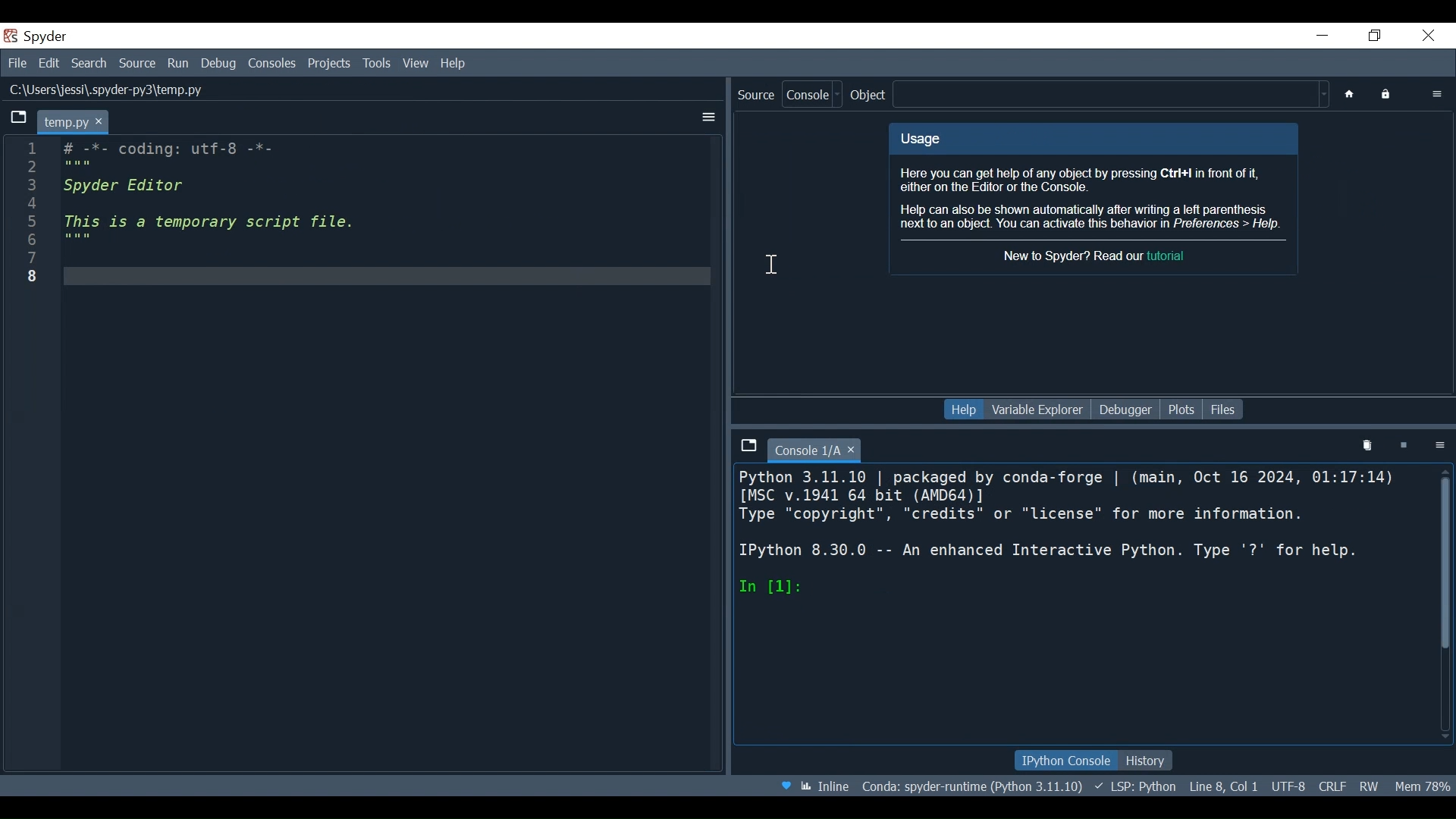  What do you see at coordinates (1150, 761) in the screenshot?
I see `History` at bounding box center [1150, 761].